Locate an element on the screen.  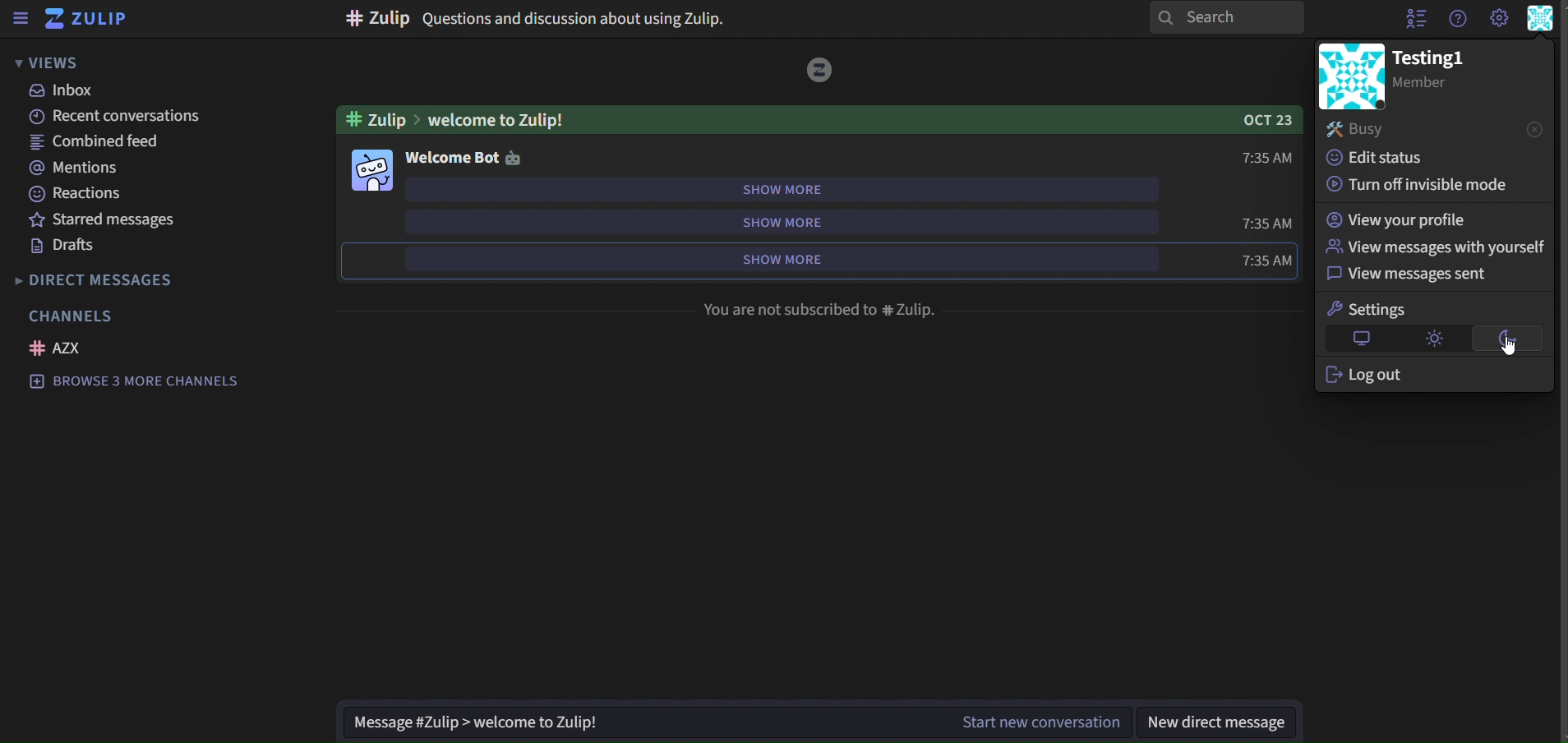
zulip is located at coordinates (90, 18).